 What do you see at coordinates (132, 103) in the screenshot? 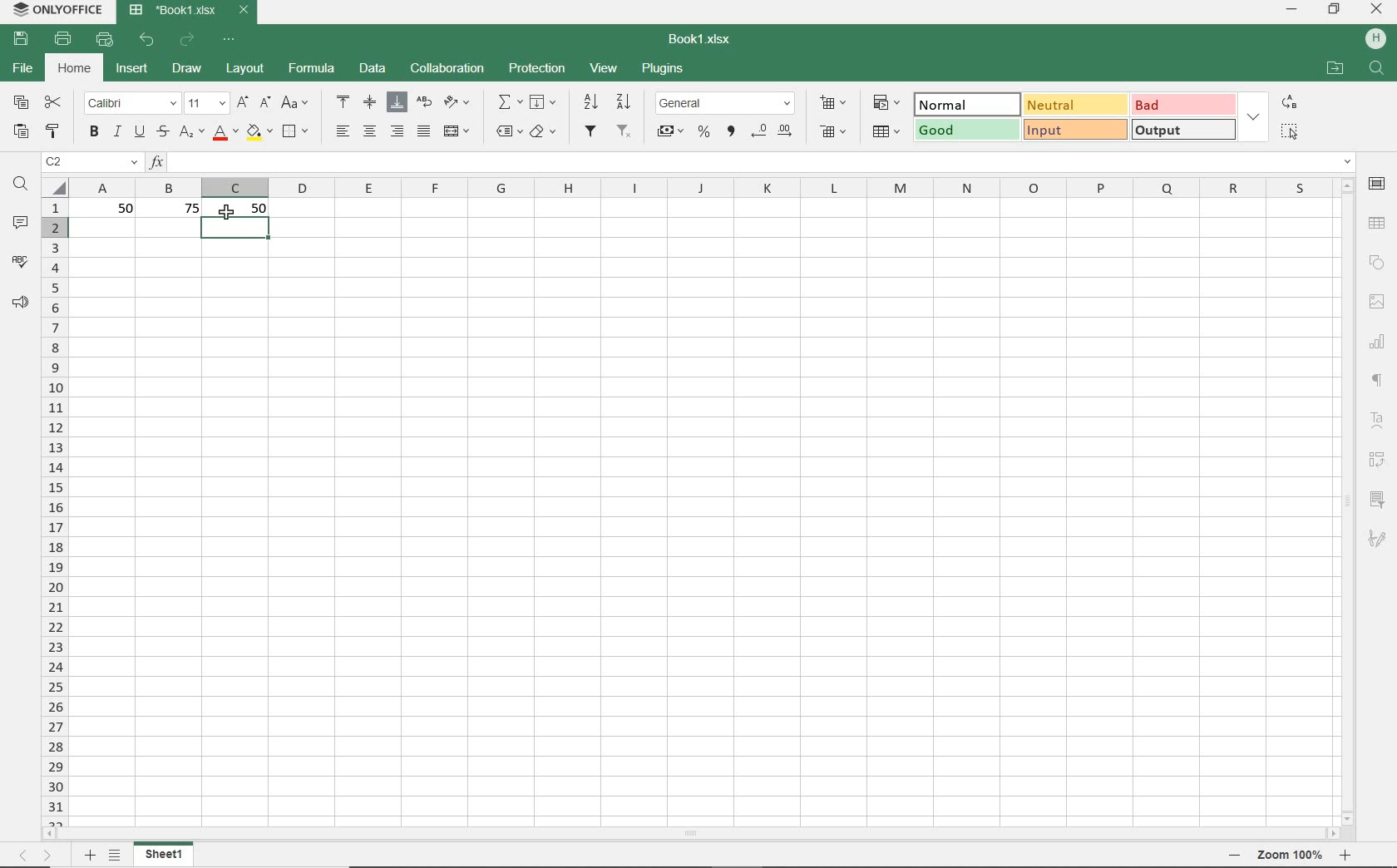
I see `font name` at bounding box center [132, 103].